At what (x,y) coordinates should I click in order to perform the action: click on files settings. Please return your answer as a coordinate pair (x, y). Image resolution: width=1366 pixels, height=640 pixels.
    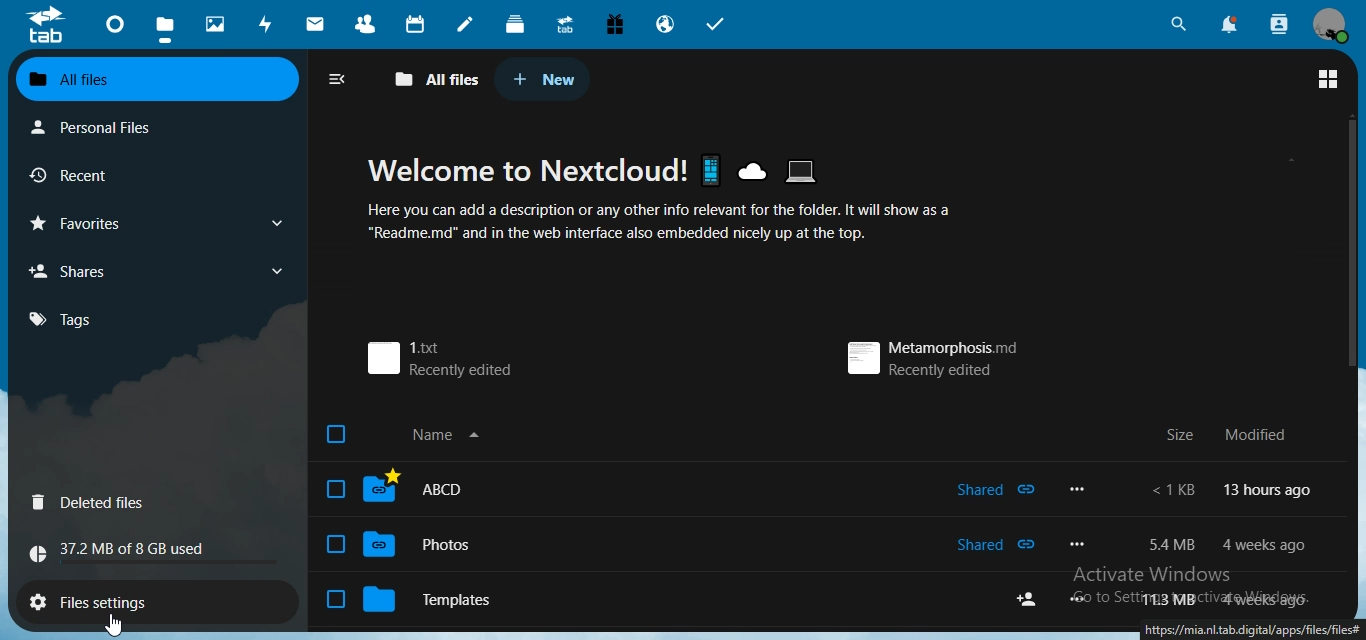
    Looking at the image, I should click on (112, 599).